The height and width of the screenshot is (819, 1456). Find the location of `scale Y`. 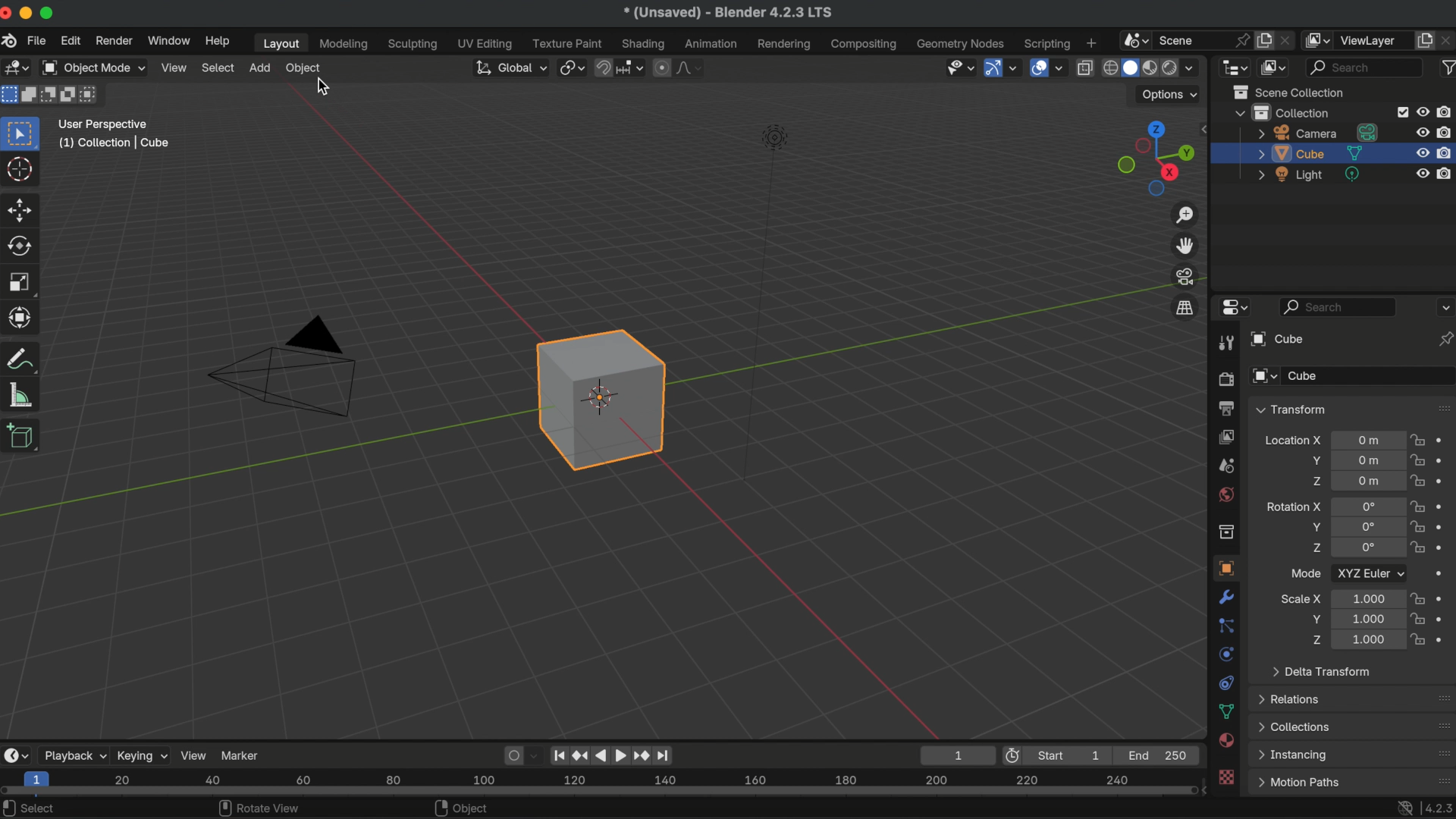

scale Y is located at coordinates (1312, 619).